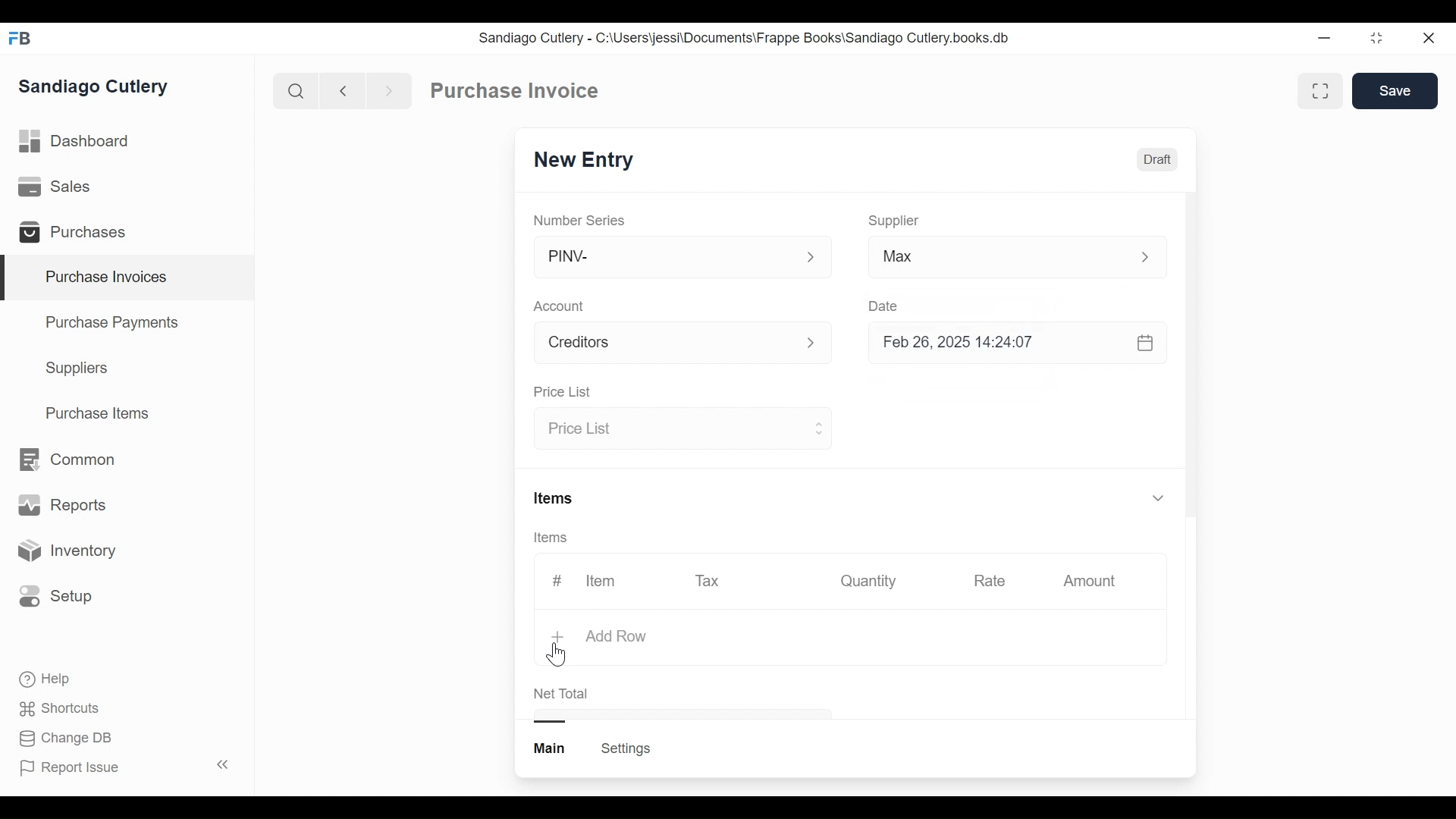 This screenshot has width=1456, height=819. I want to click on Setup, so click(56, 595).